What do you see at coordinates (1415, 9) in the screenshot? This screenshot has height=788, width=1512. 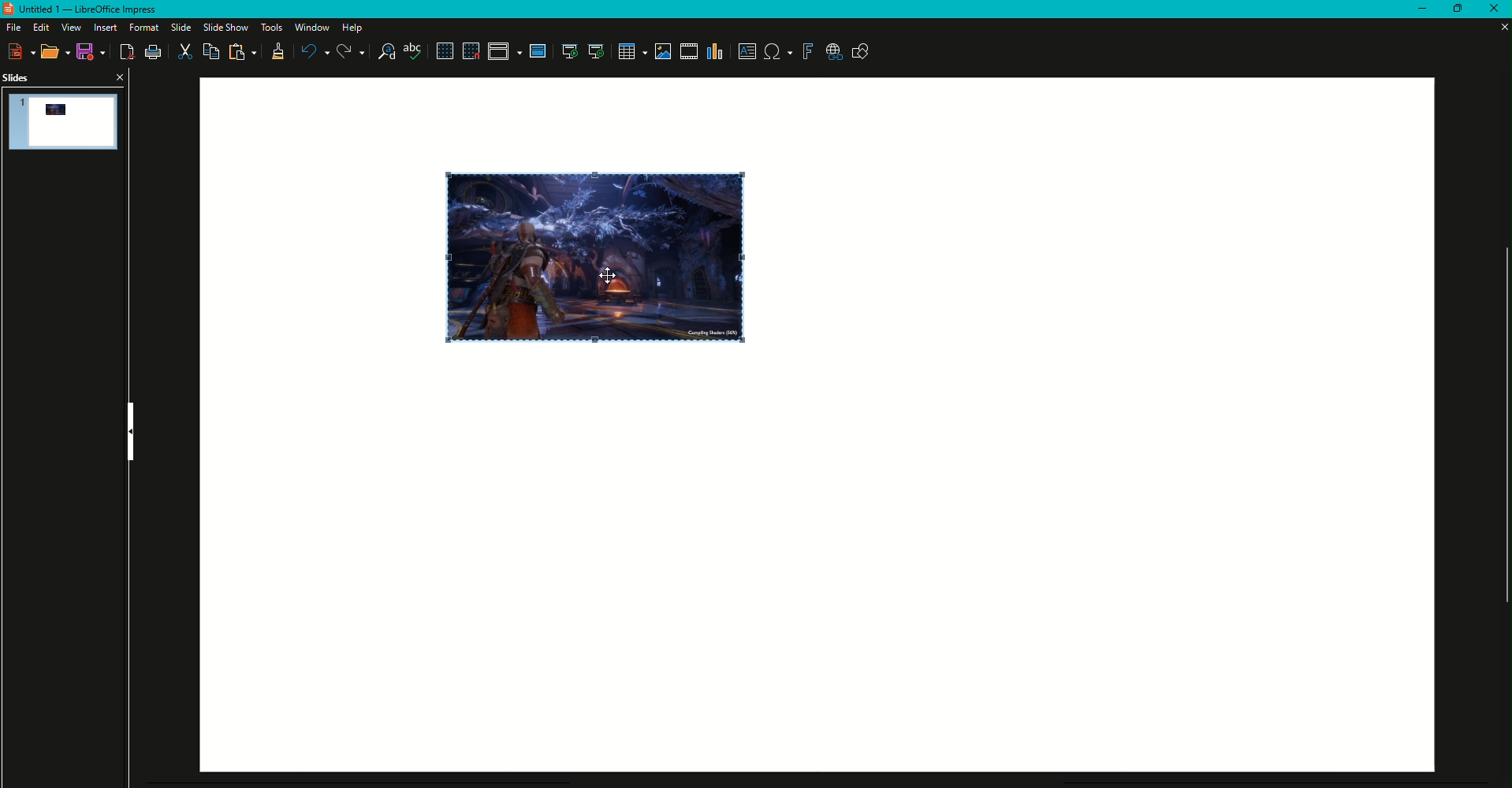 I see `Minimize` at bounding box center [1415, 9].